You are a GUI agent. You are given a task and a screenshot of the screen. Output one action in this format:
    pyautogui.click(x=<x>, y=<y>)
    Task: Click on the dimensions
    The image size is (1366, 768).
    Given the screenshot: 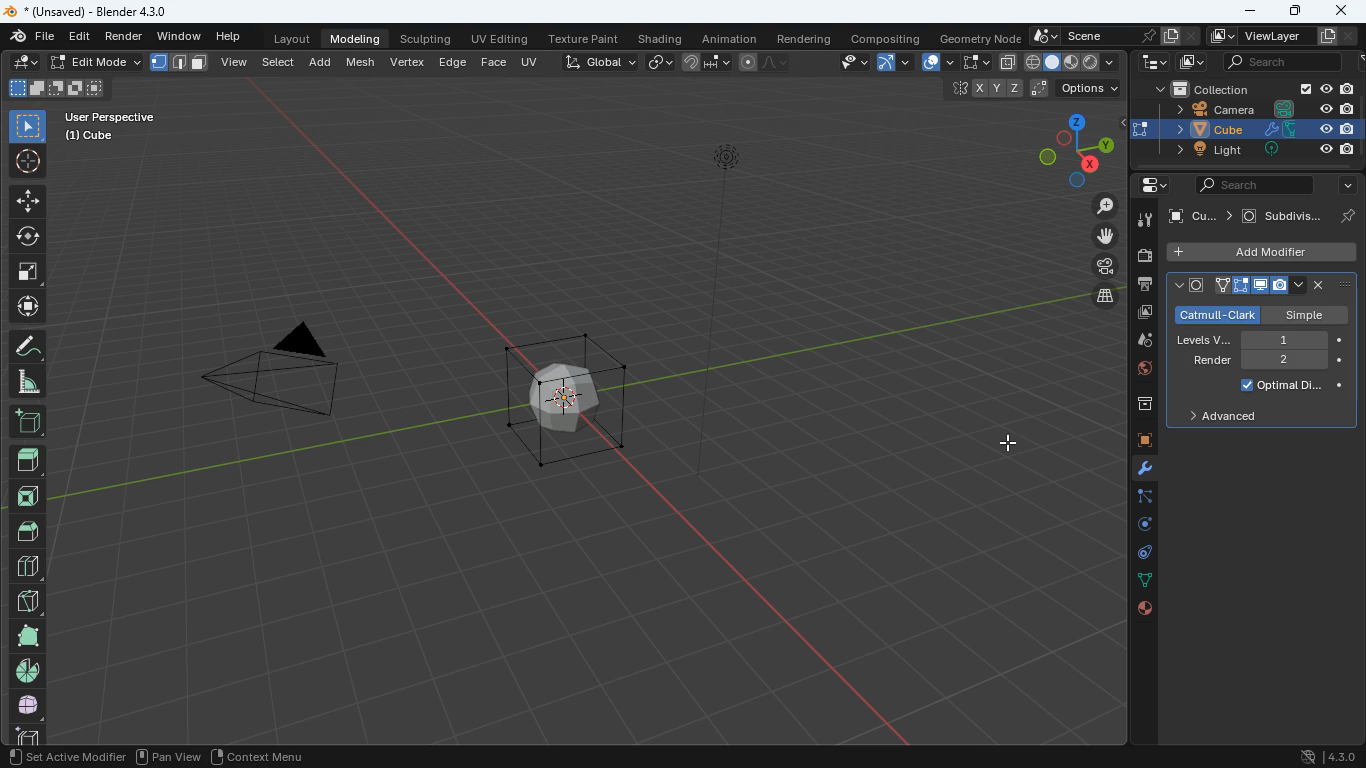 What is the action you would take?
    pyautogui.click(x=1067, y=154)
    